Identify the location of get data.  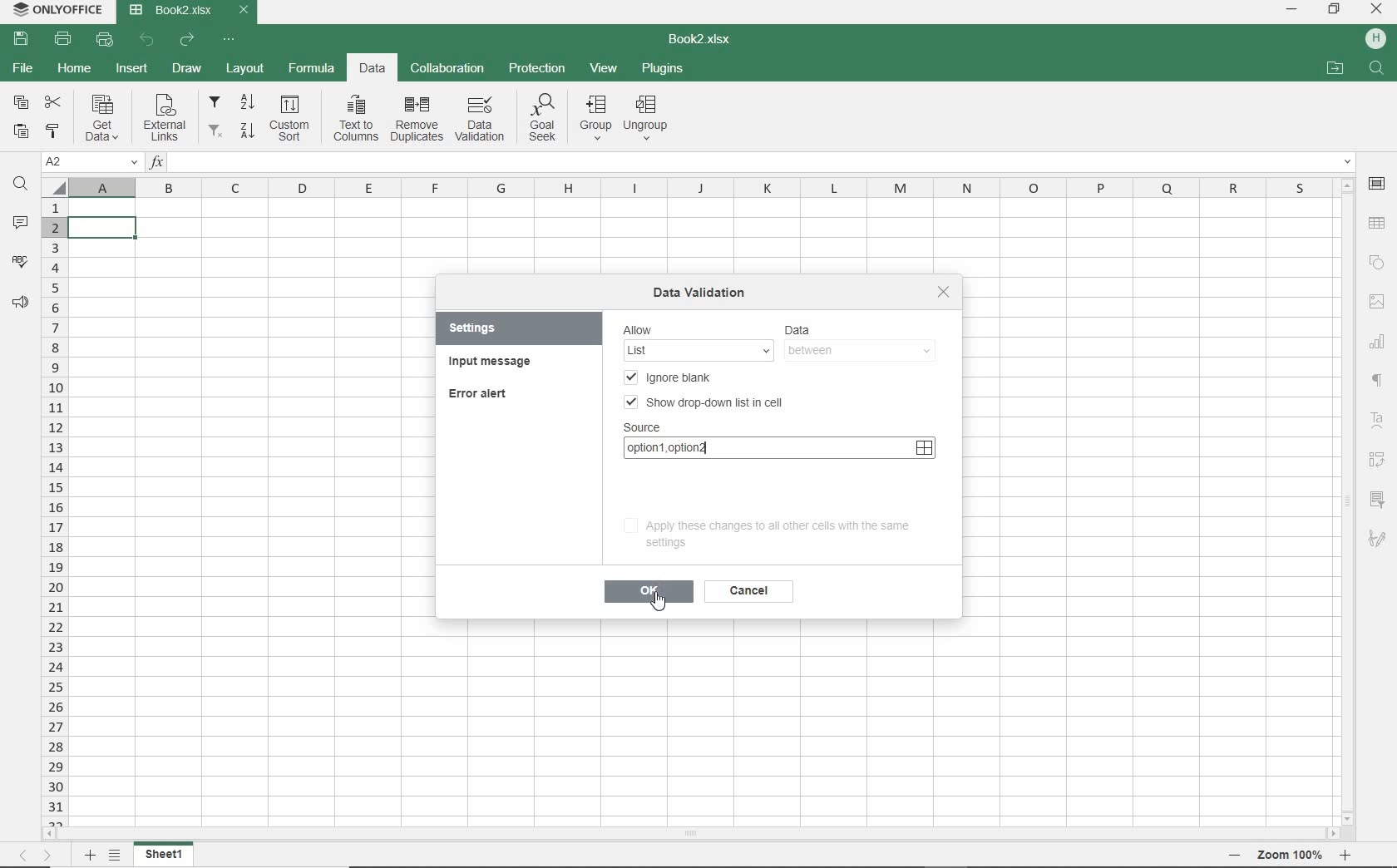
(106, 117).